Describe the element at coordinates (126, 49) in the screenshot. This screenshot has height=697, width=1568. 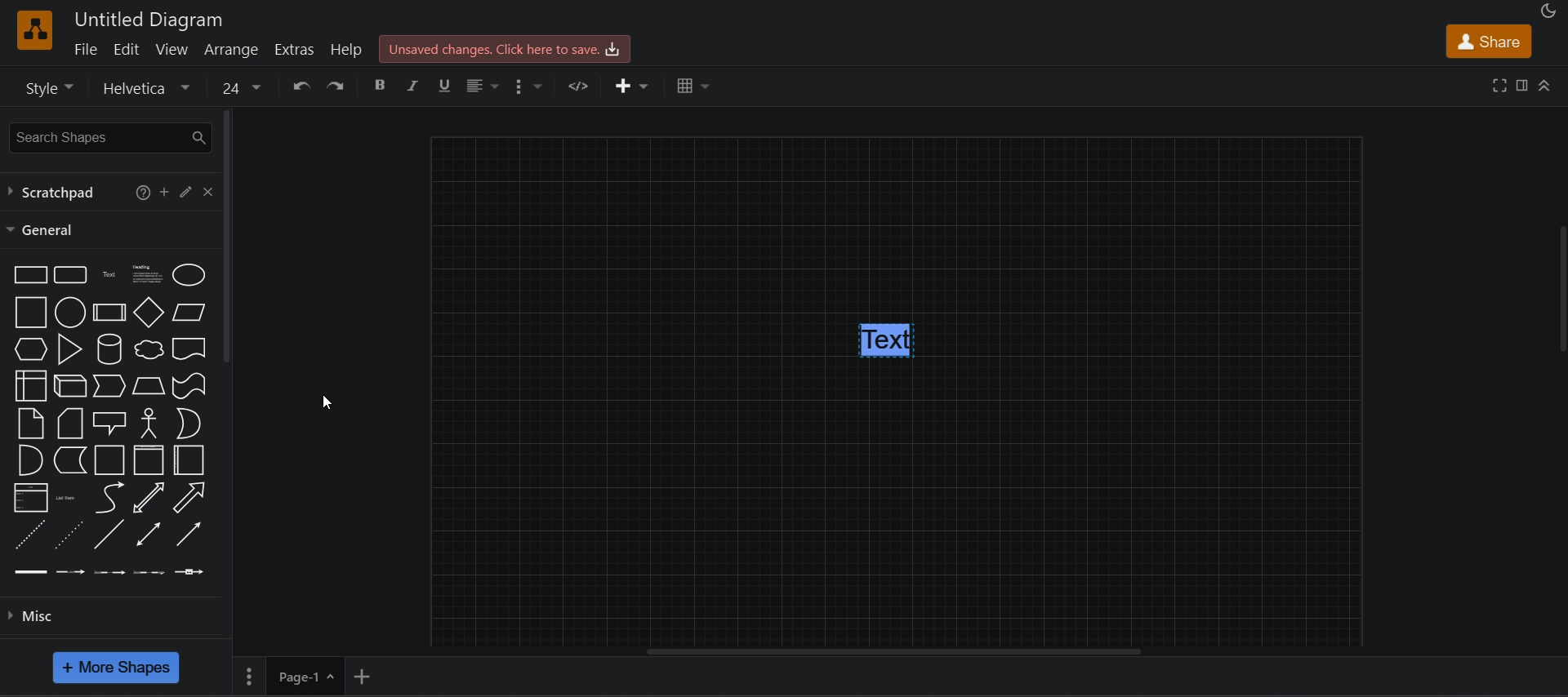
I see `edit` at that location.